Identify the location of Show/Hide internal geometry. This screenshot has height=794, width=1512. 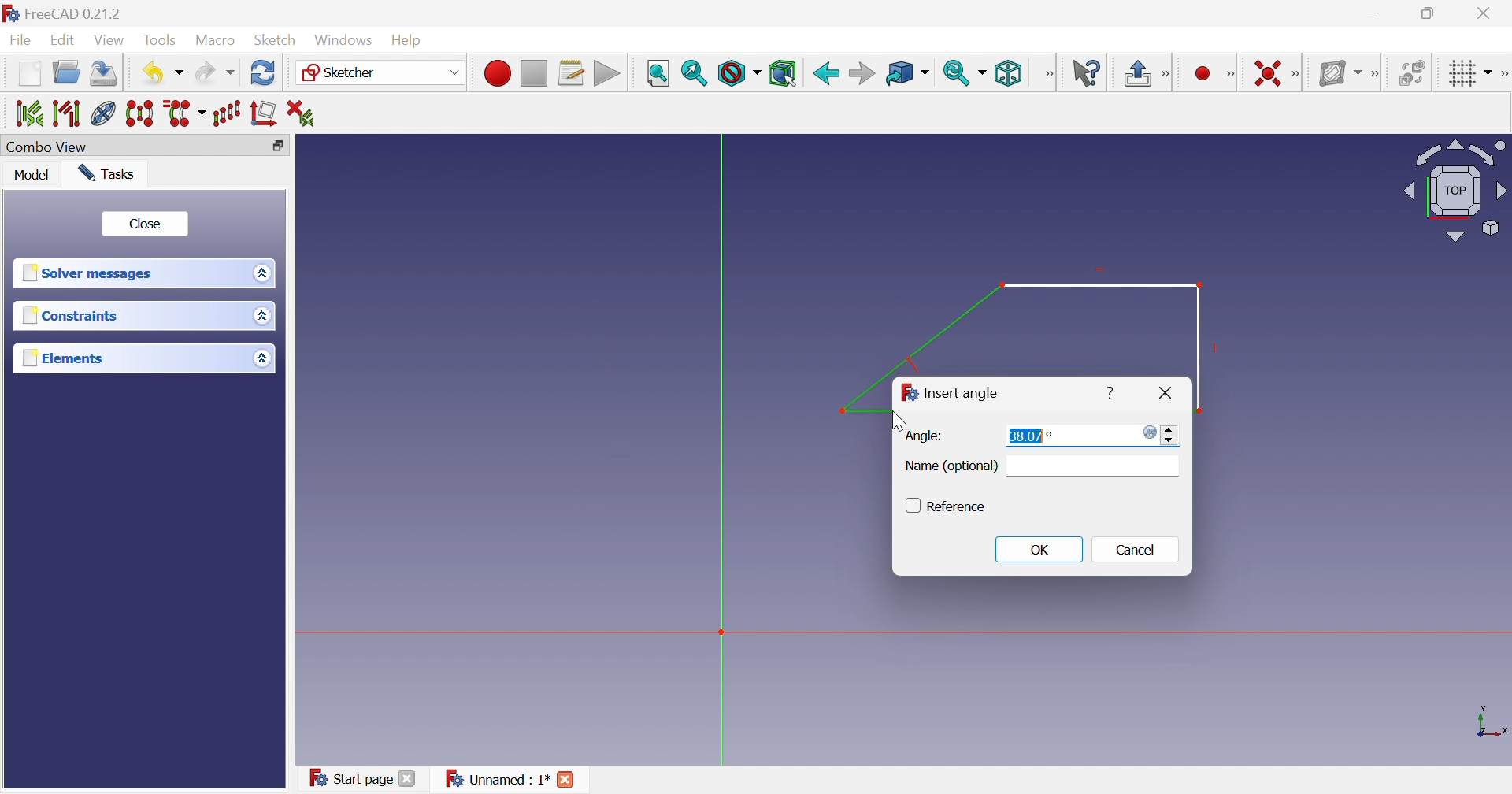
(102, 113).